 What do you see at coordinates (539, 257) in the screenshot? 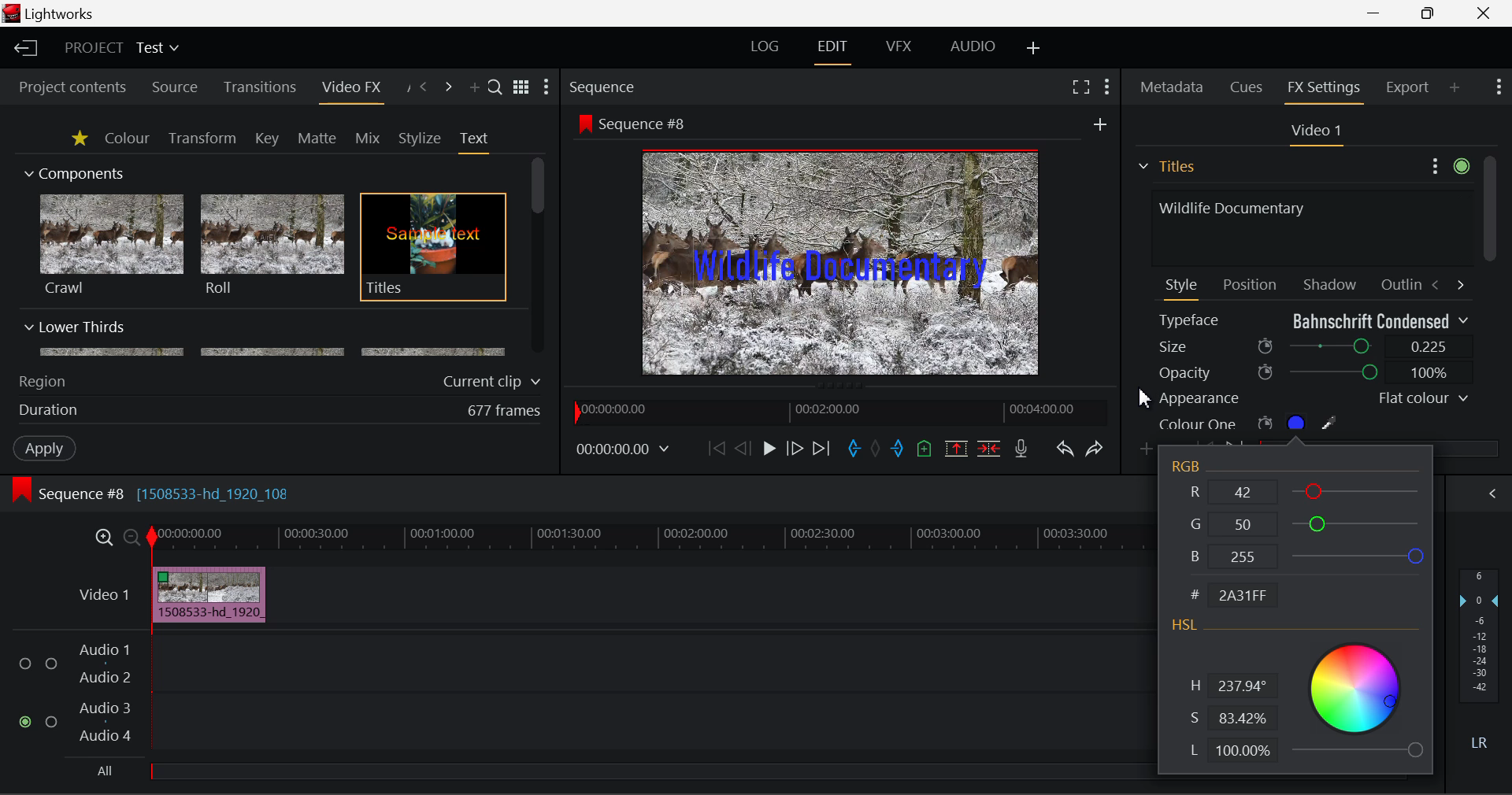
I see `Scroll Bar` at bounding box center [539, 257].